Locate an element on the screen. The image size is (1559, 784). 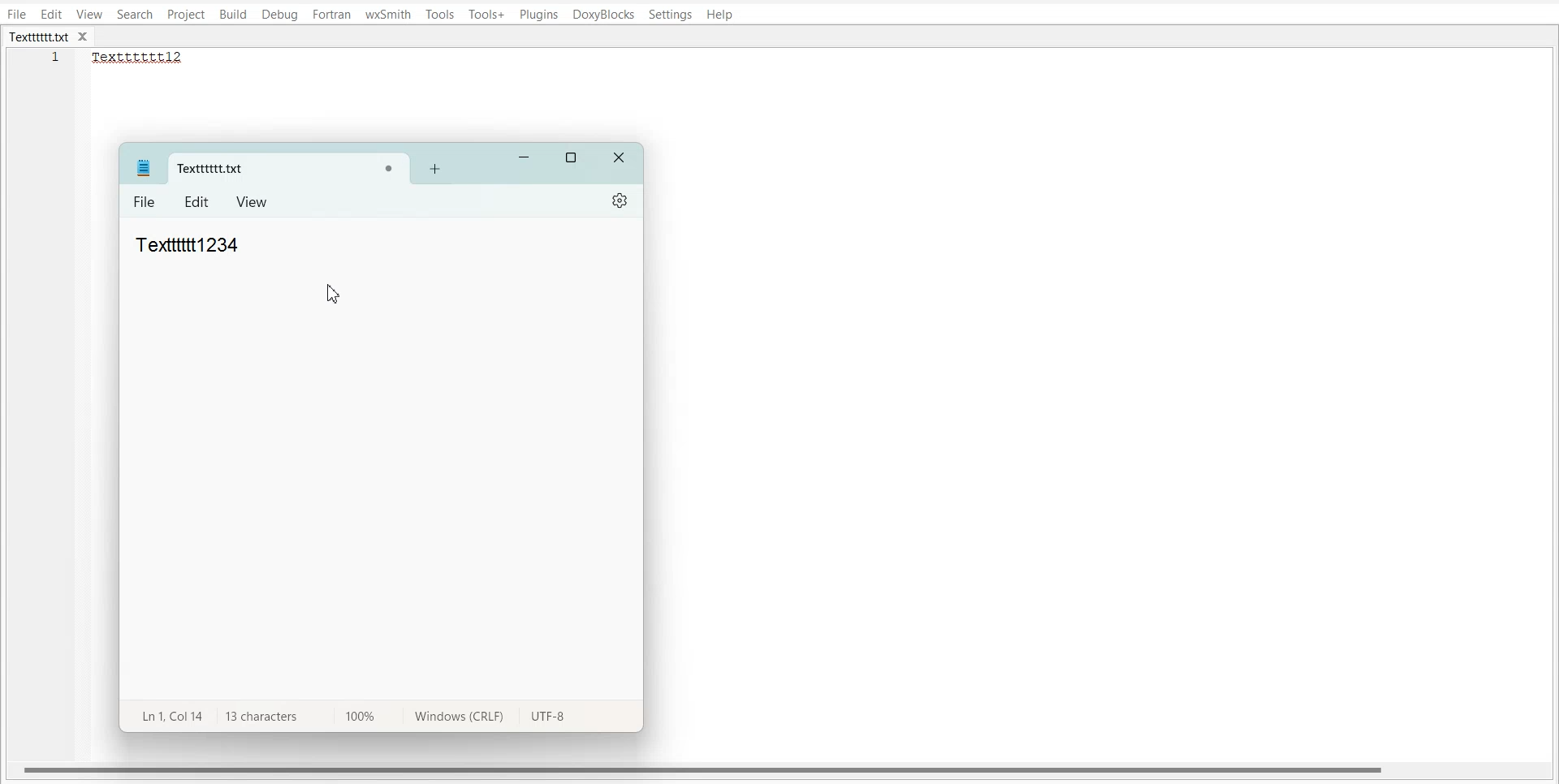
DoxyBlocks is located at coordinates (603, 15).